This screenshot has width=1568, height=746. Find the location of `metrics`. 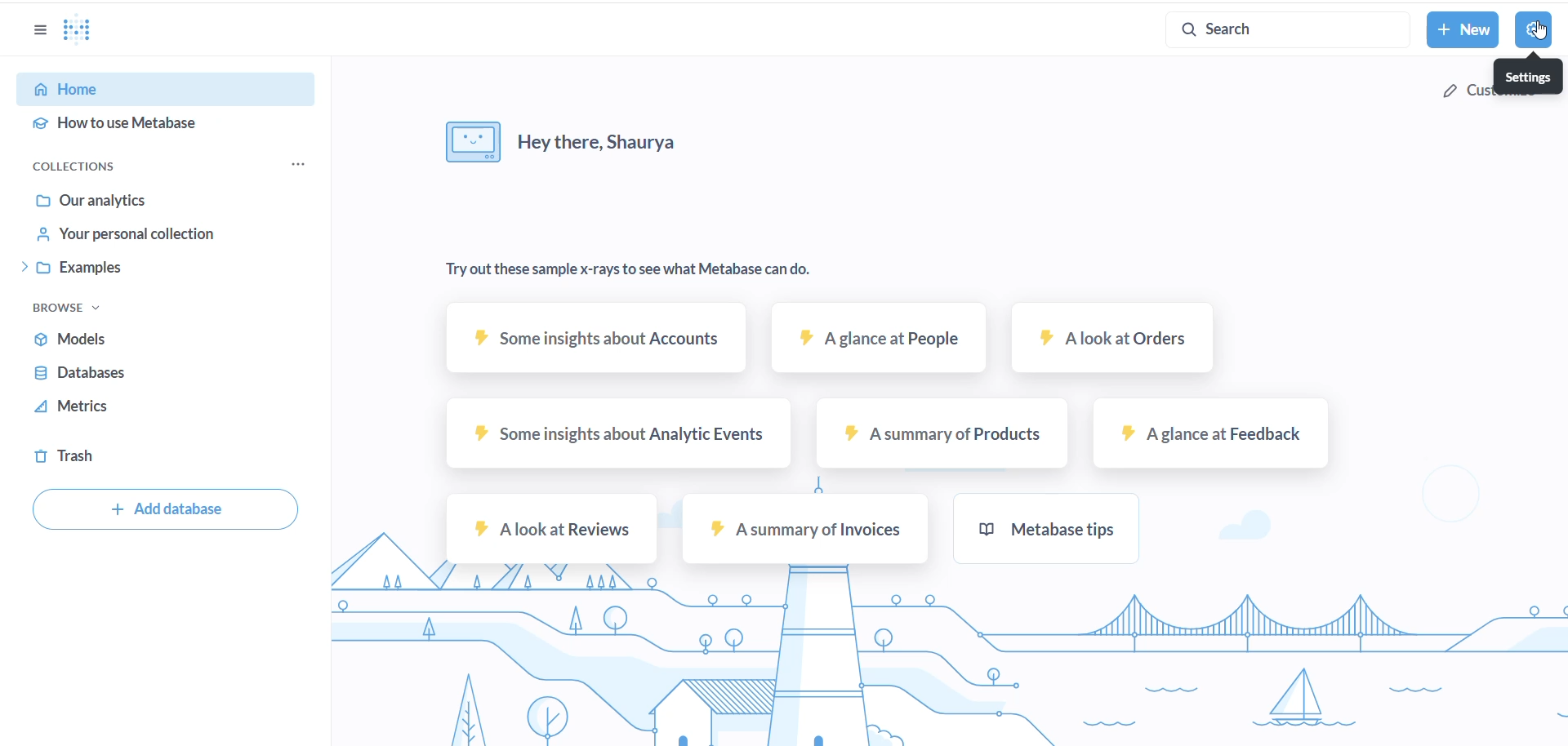

metrics is located at coordinates (146, 411).